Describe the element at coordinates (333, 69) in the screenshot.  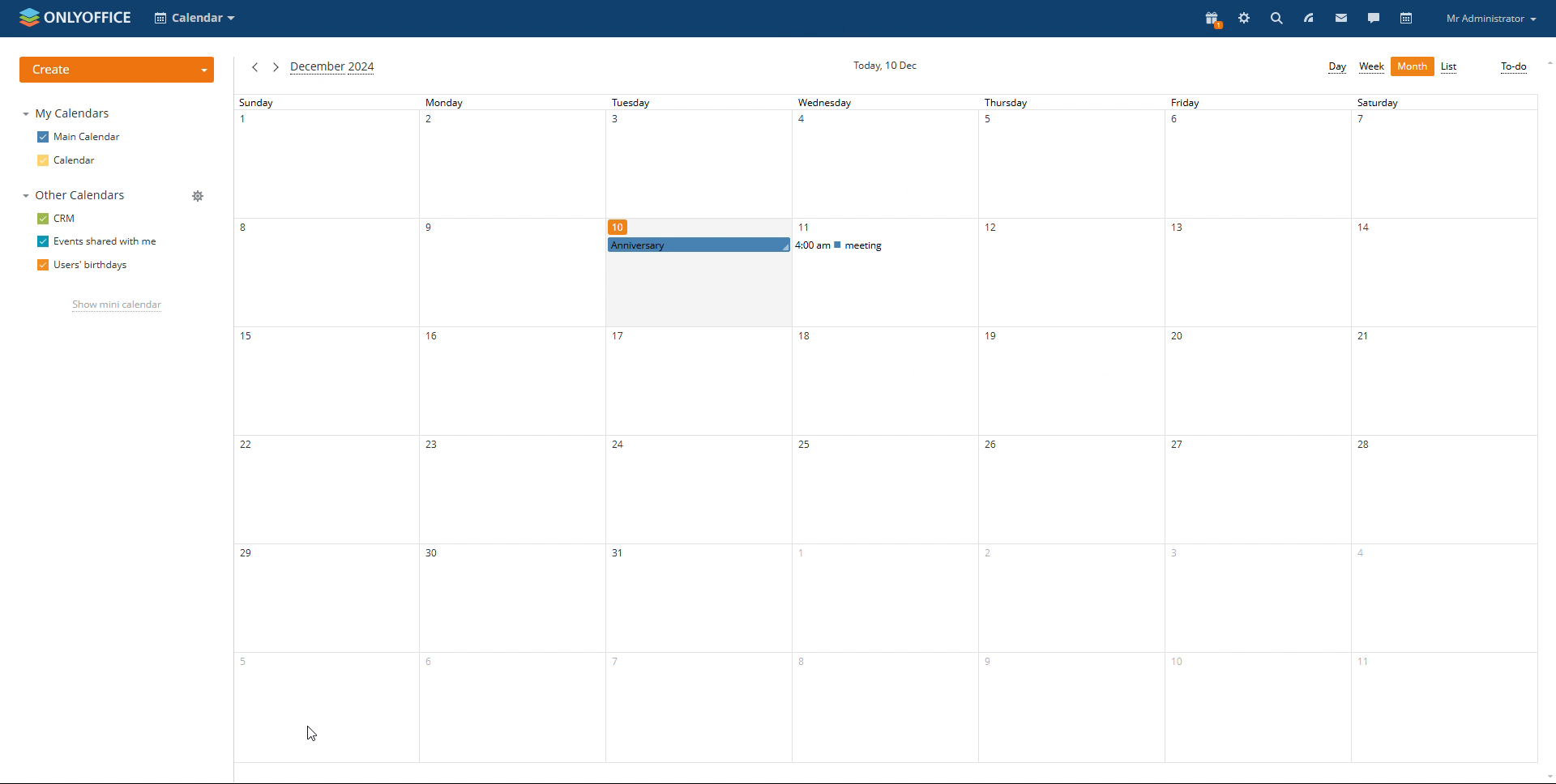
I see `current month` at that location.